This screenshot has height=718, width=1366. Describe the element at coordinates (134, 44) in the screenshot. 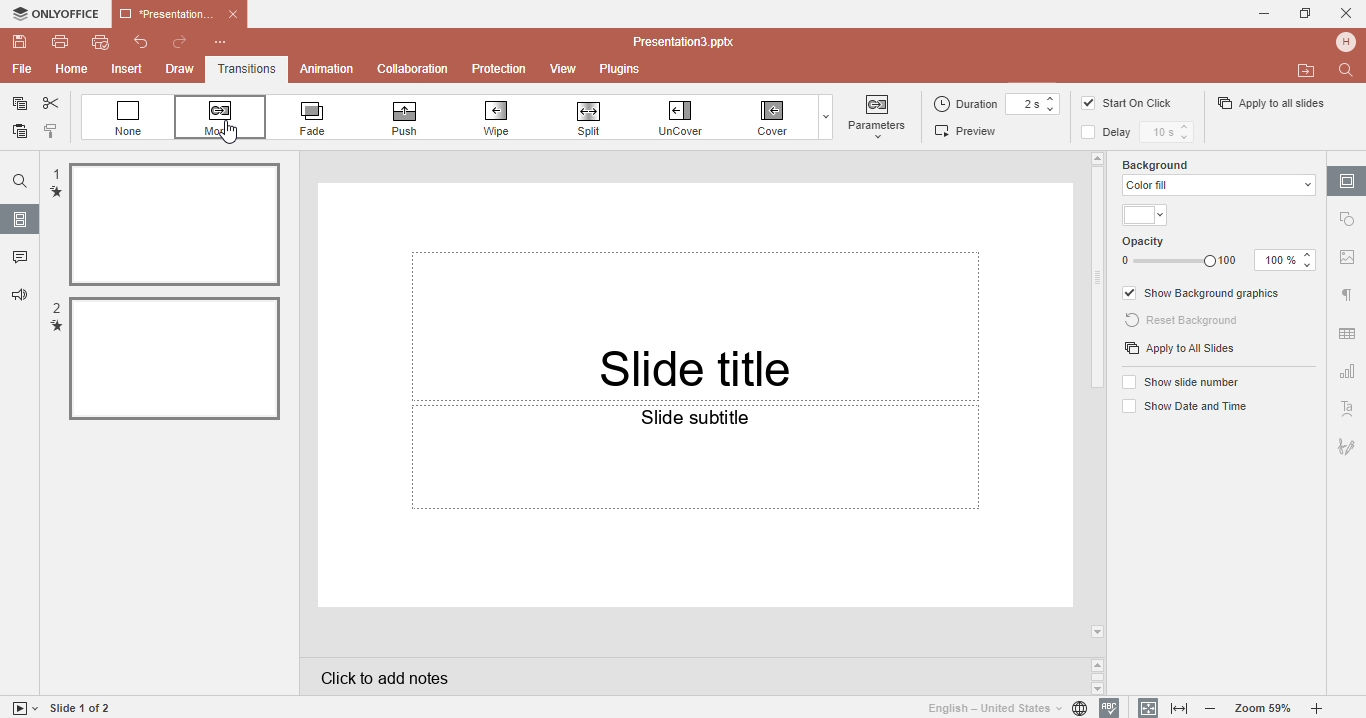

I see `Undo` at that location.